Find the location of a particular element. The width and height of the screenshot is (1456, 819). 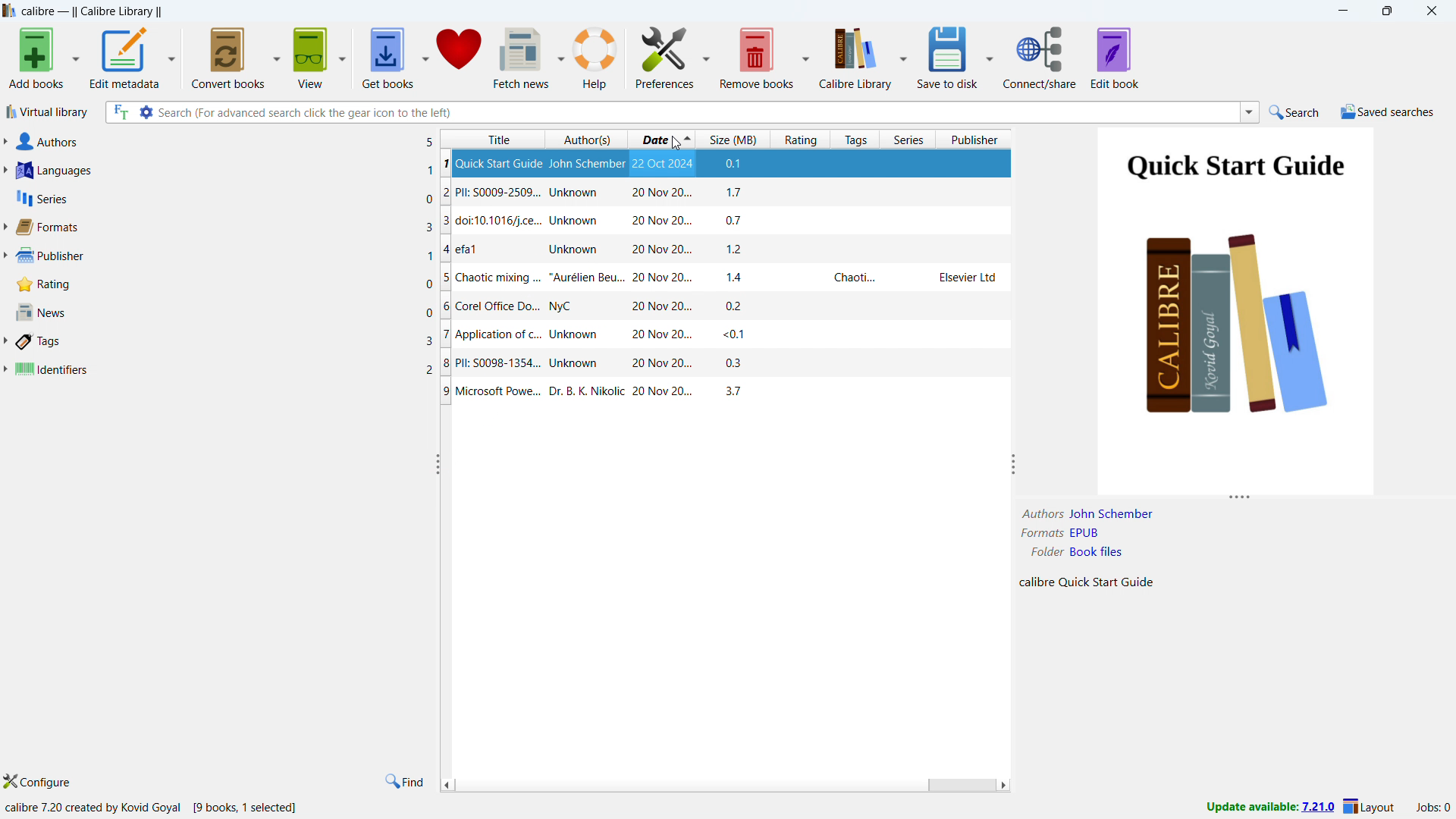

publishers is located at coordinates (224, 256).